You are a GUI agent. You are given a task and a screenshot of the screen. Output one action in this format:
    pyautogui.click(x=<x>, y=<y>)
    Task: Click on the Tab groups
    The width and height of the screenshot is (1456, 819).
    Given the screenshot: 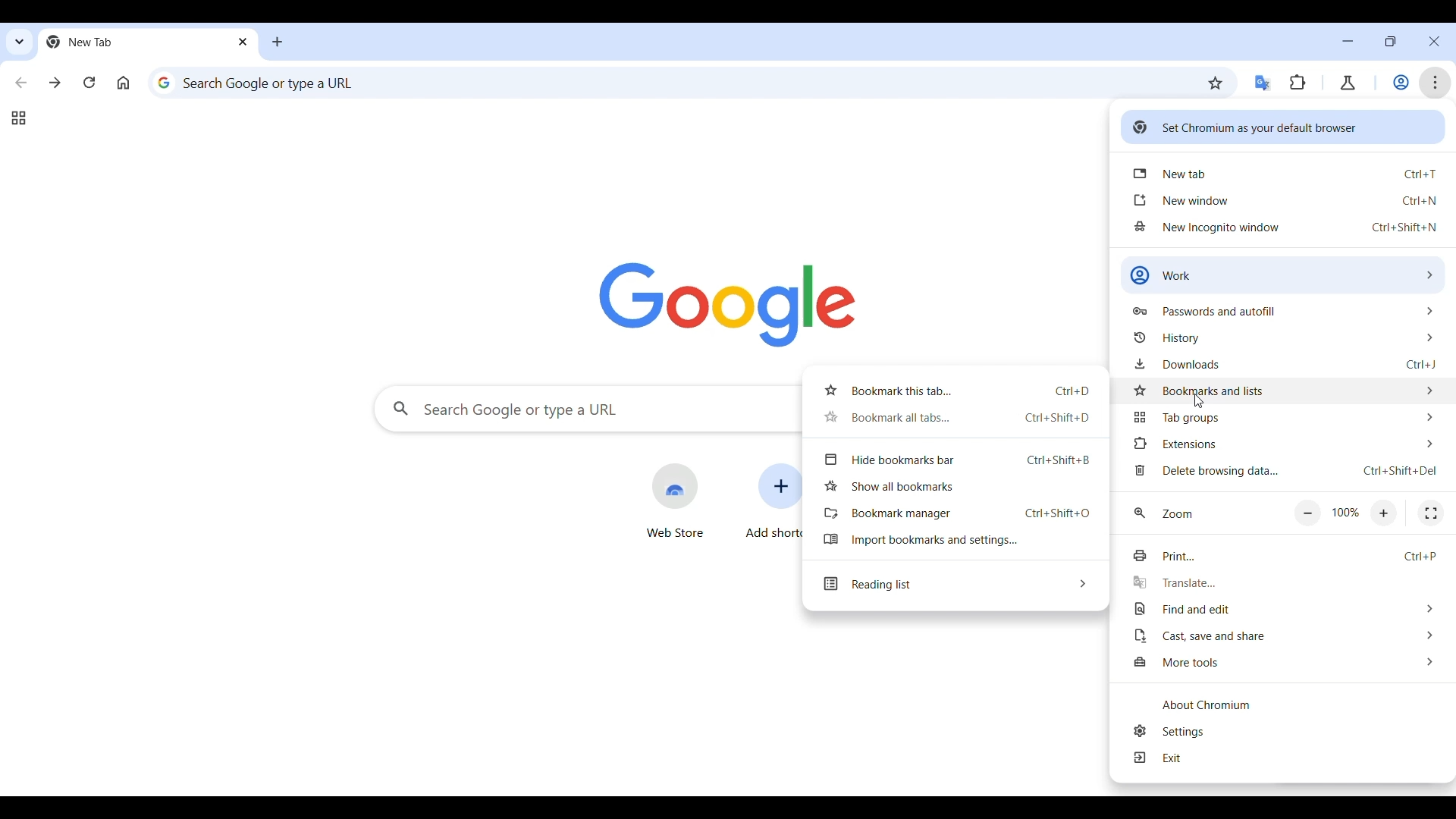 What is the action you would take?
    pyautogui.click(x=1285, y=419)
    